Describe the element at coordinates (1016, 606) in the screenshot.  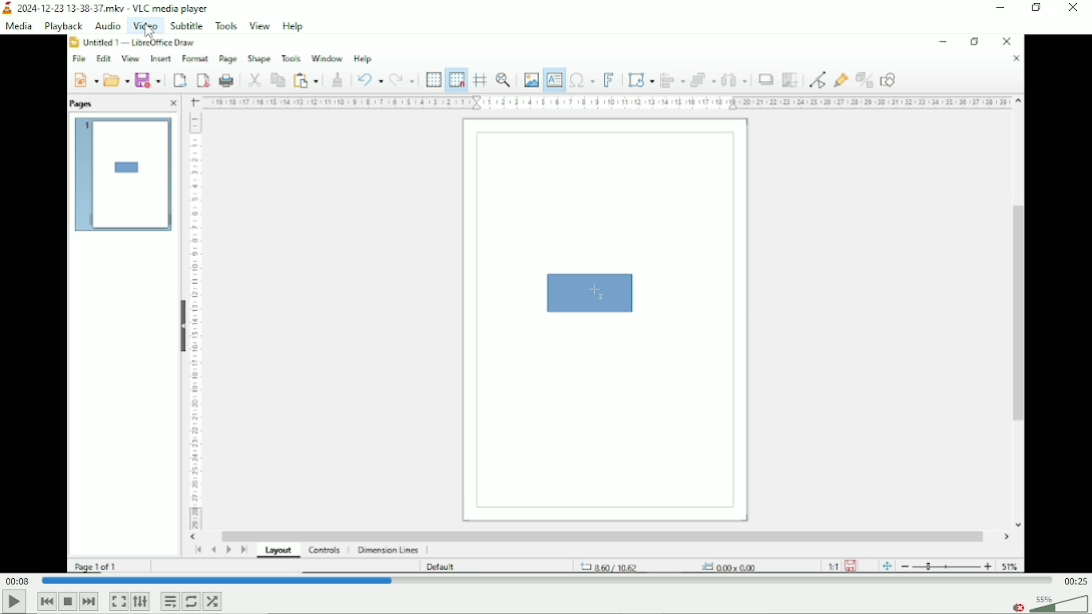
I see `volume on/off` at that location.